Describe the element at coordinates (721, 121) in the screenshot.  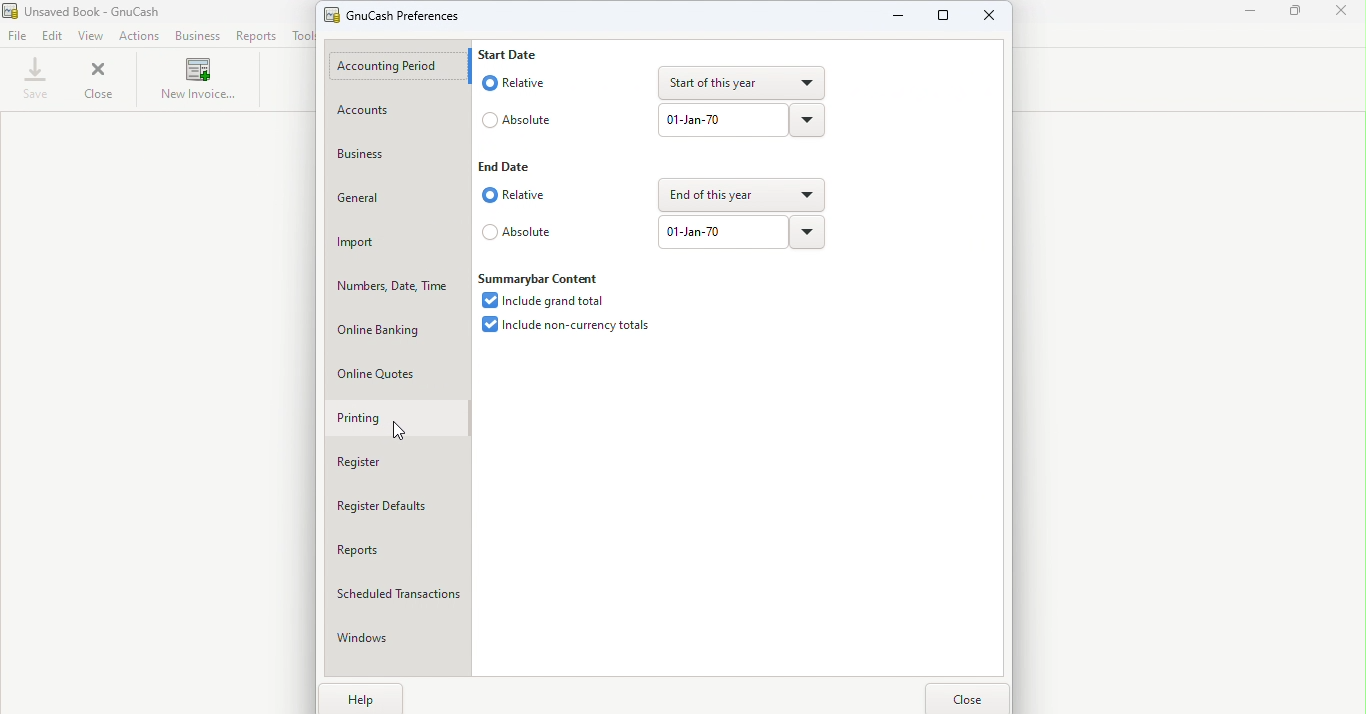
I see `01-jan-70` at that location.